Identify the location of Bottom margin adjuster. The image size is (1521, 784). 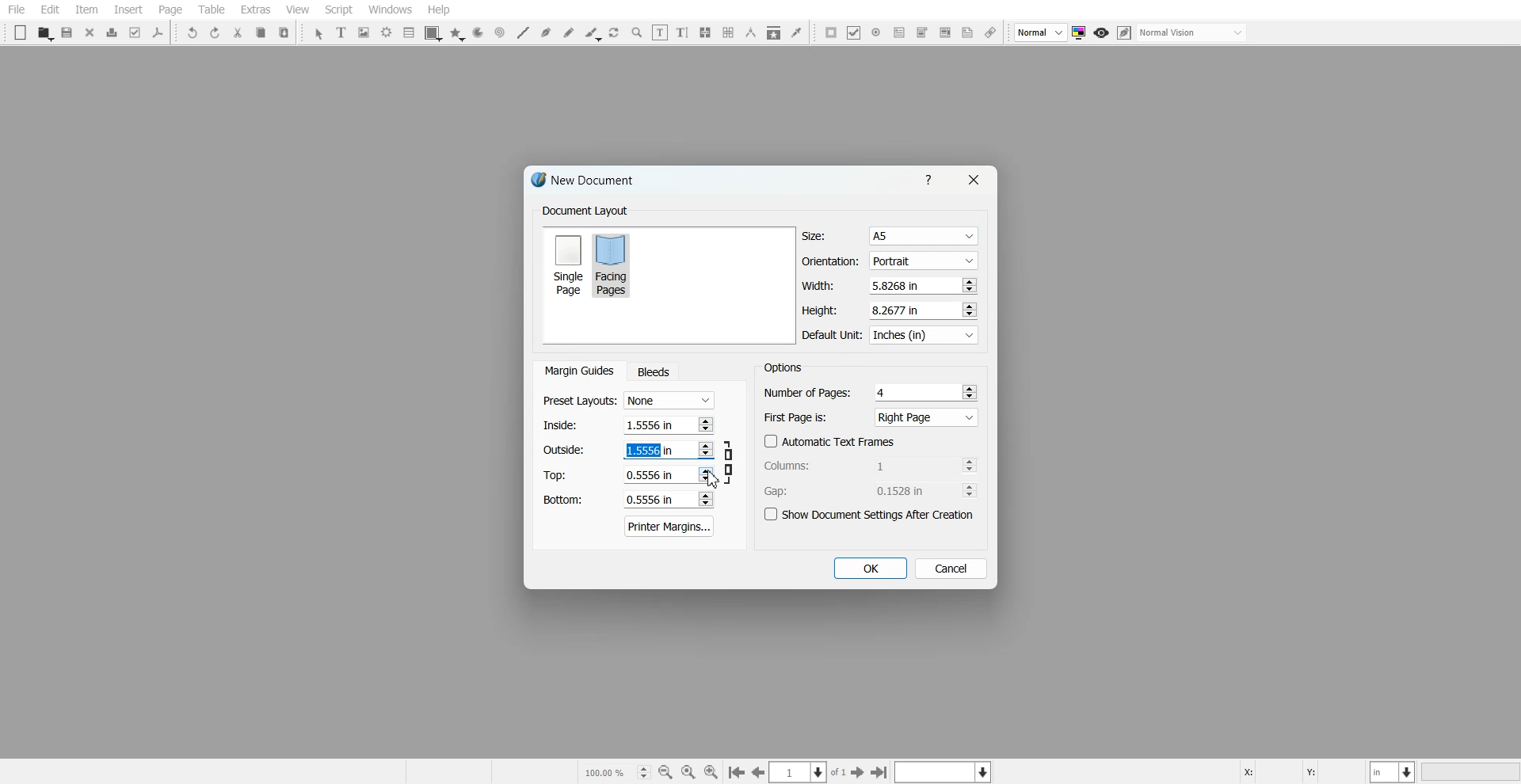
(627, 500).